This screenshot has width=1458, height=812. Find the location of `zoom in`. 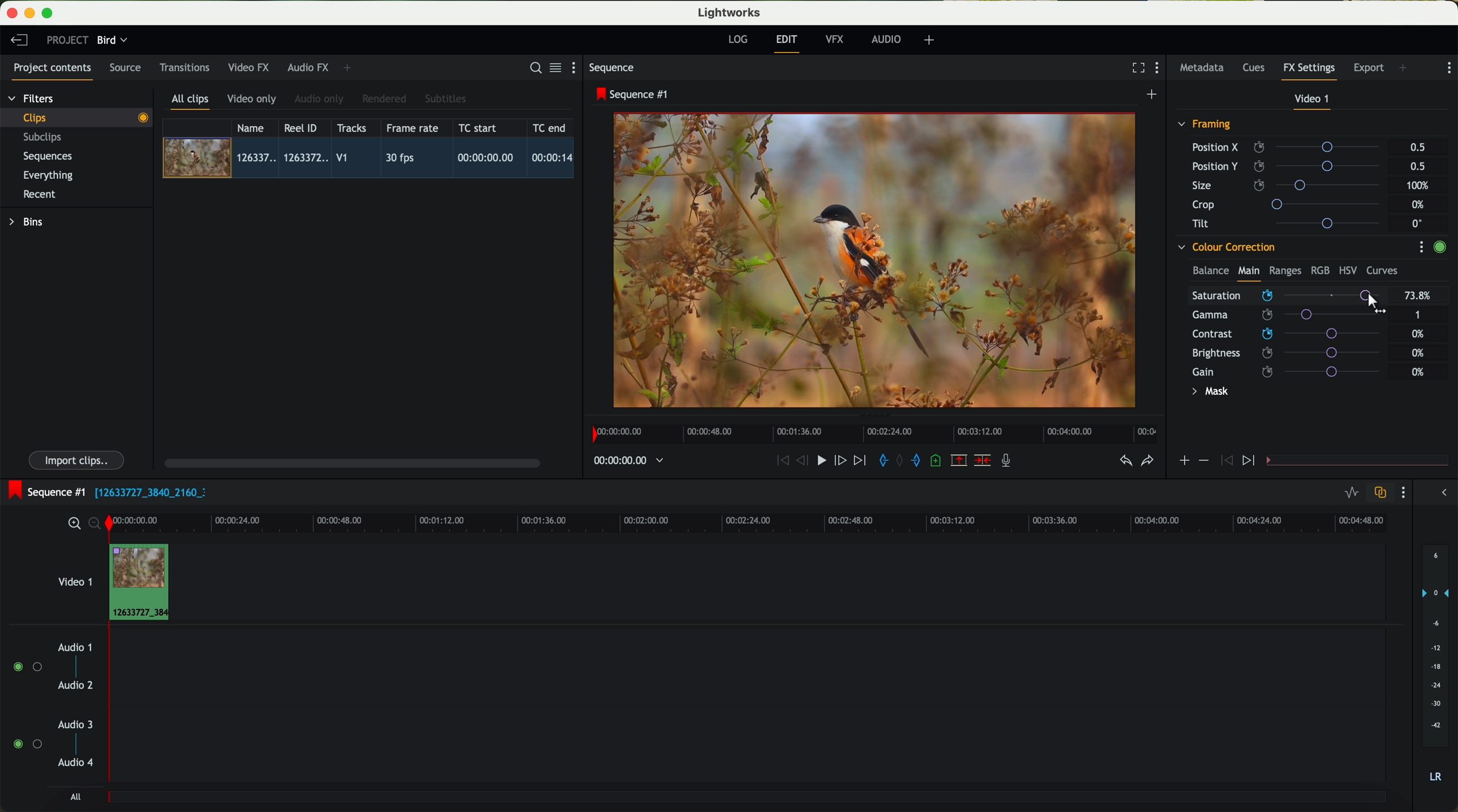

zoom in is located at coordinates (72, 524).